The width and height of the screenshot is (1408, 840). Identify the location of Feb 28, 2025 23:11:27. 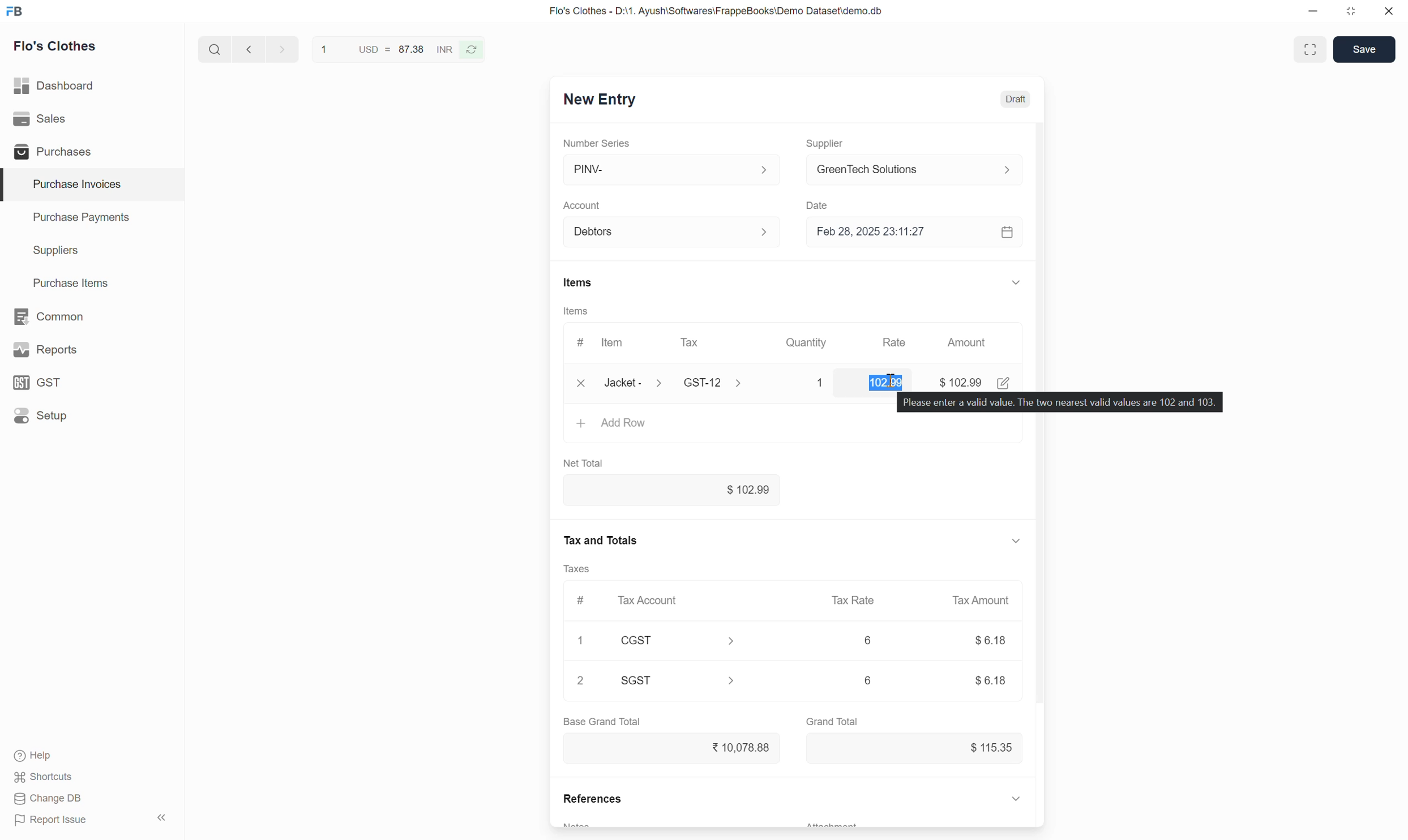
(902, 232).